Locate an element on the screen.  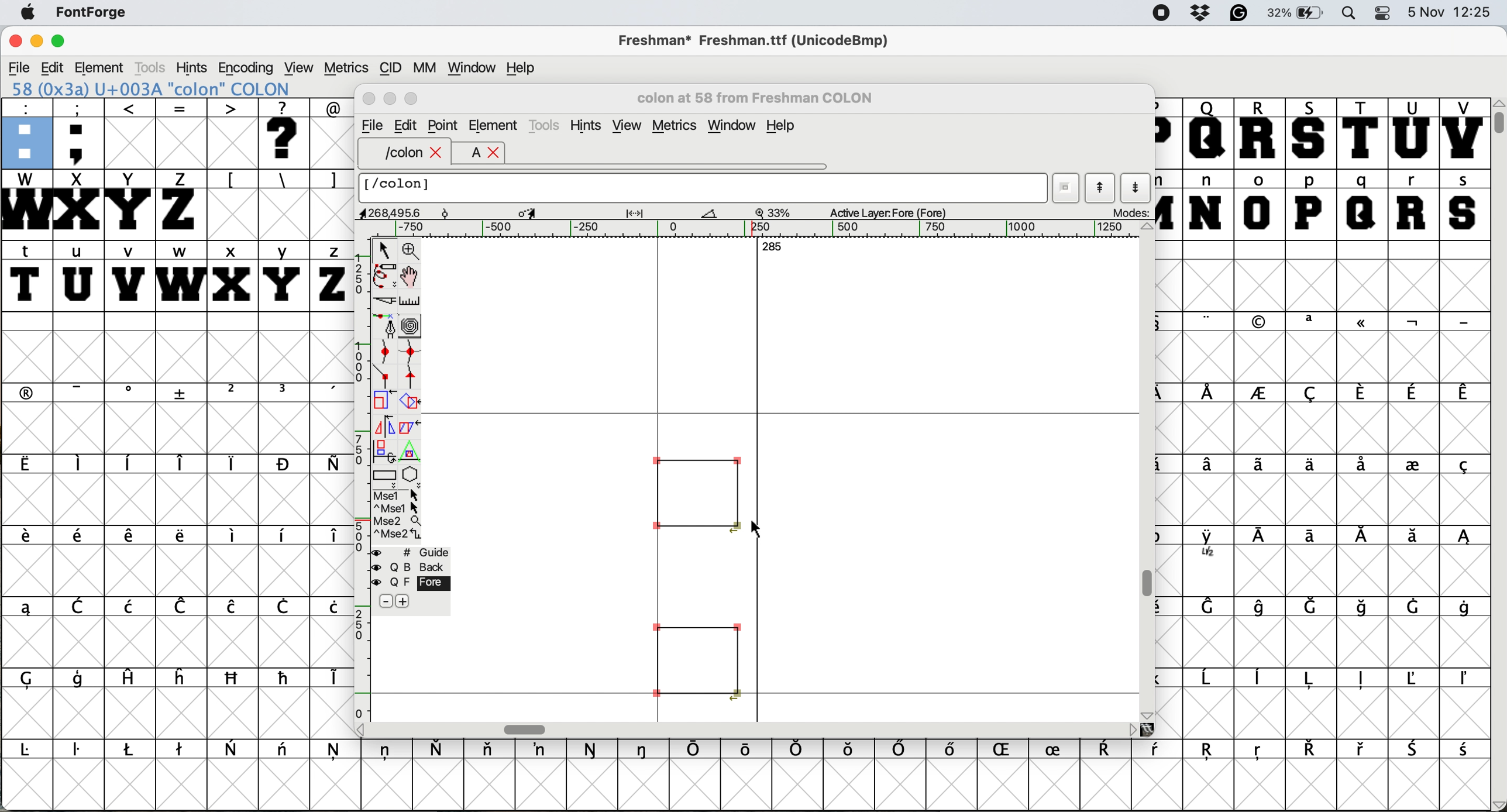
show next character is located at coordinates (1136, 186).